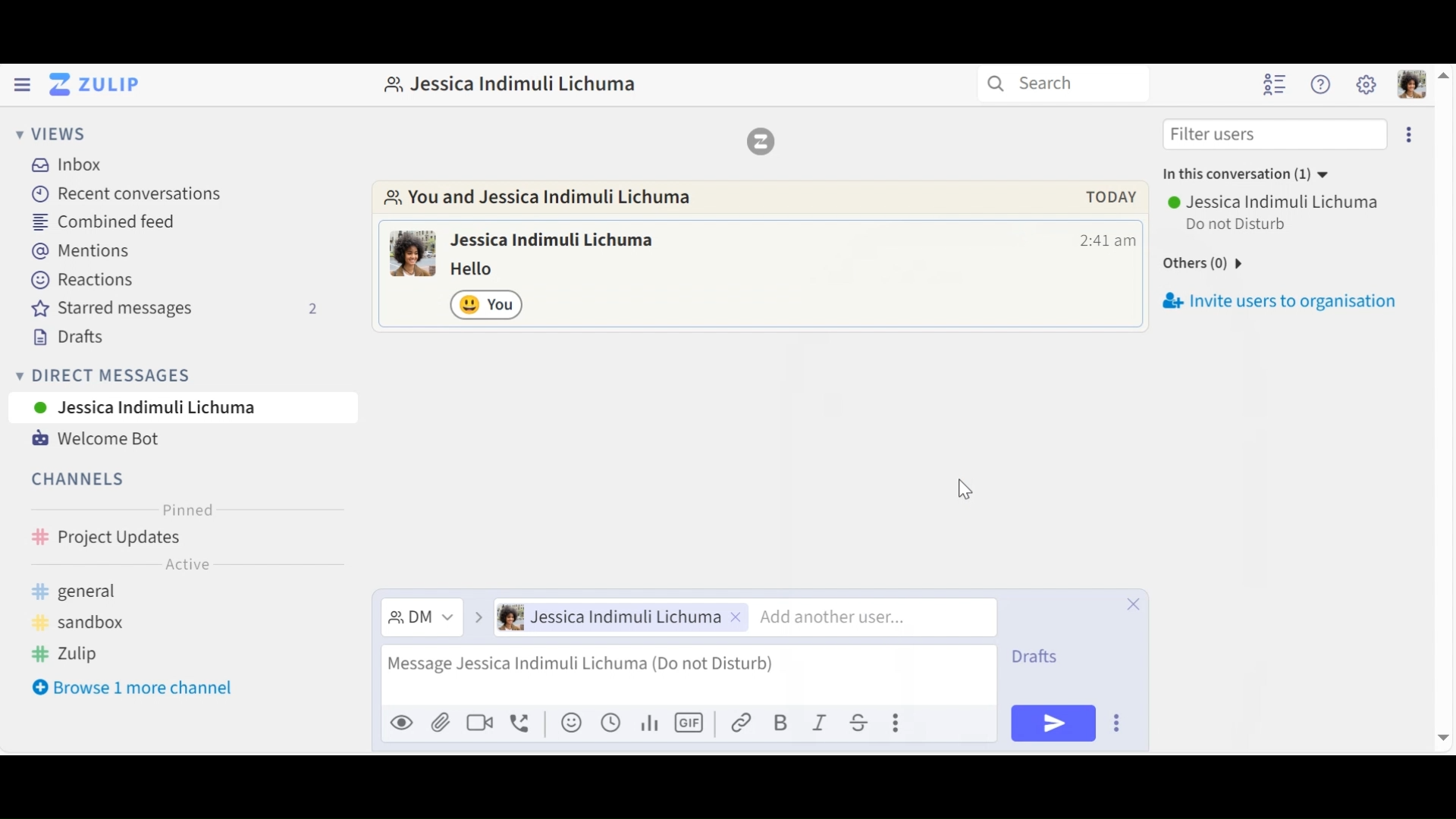  What do you see at coordinates (1053, 723) in the screenshot?
I see `Send` at bounding box center [1053, 723].